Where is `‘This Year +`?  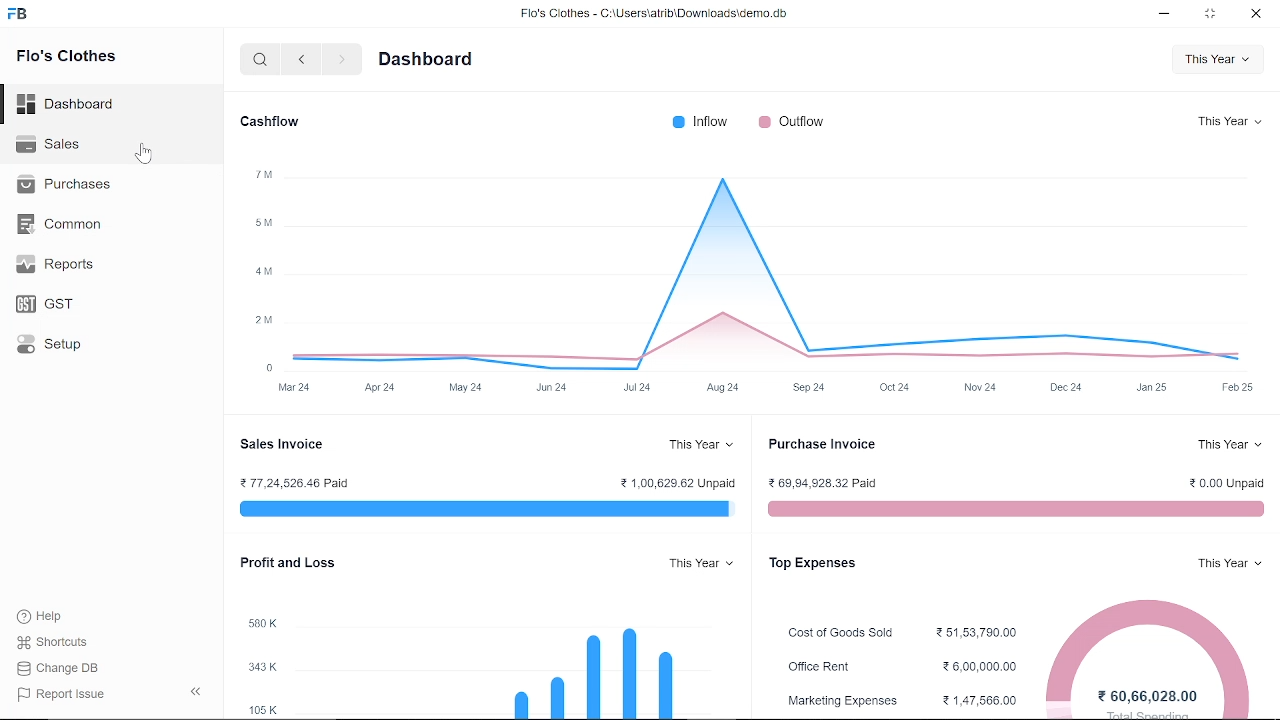
‘This Year + is located at coordinates (1227, 447).